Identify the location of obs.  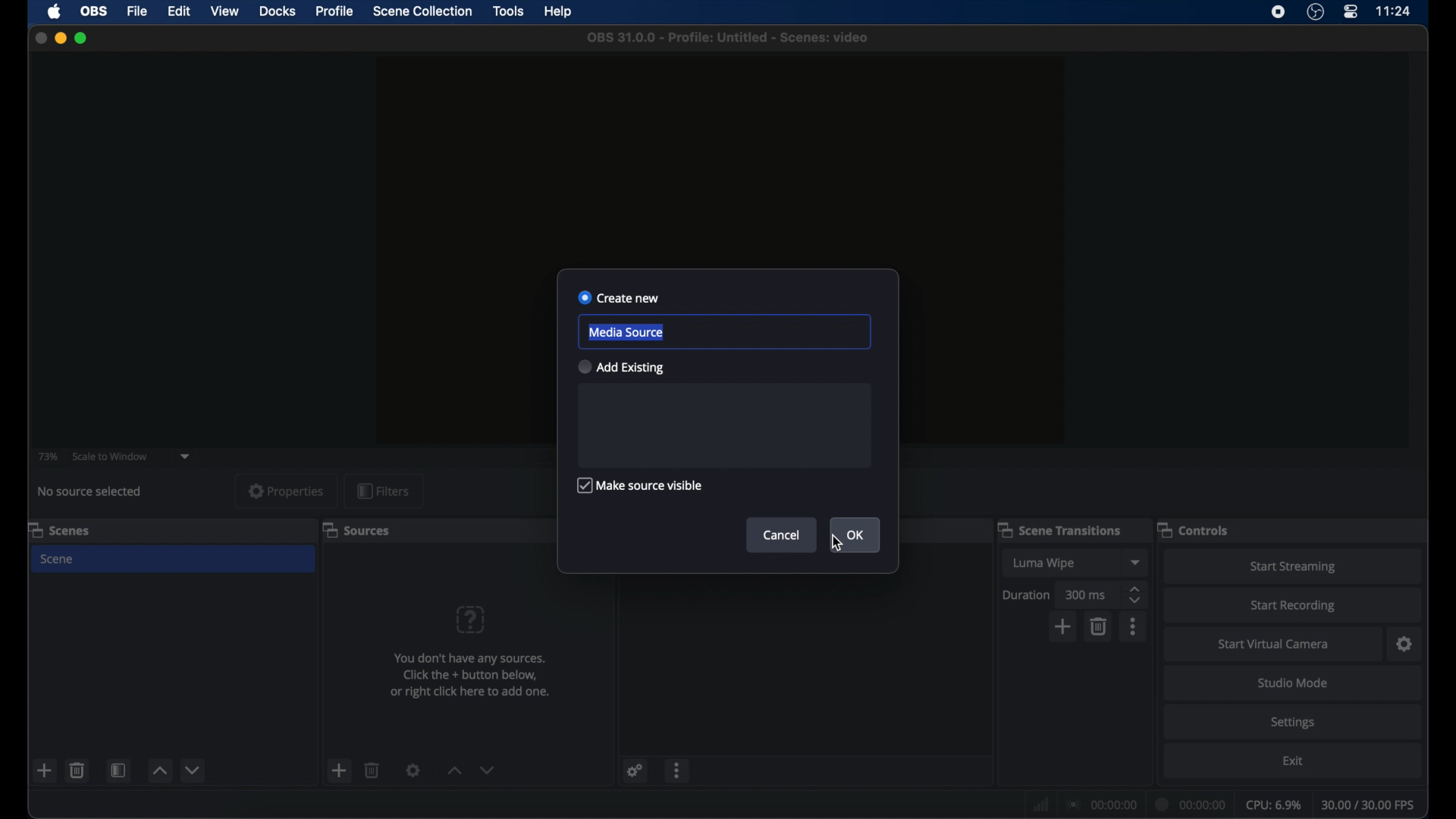
(96, 11).